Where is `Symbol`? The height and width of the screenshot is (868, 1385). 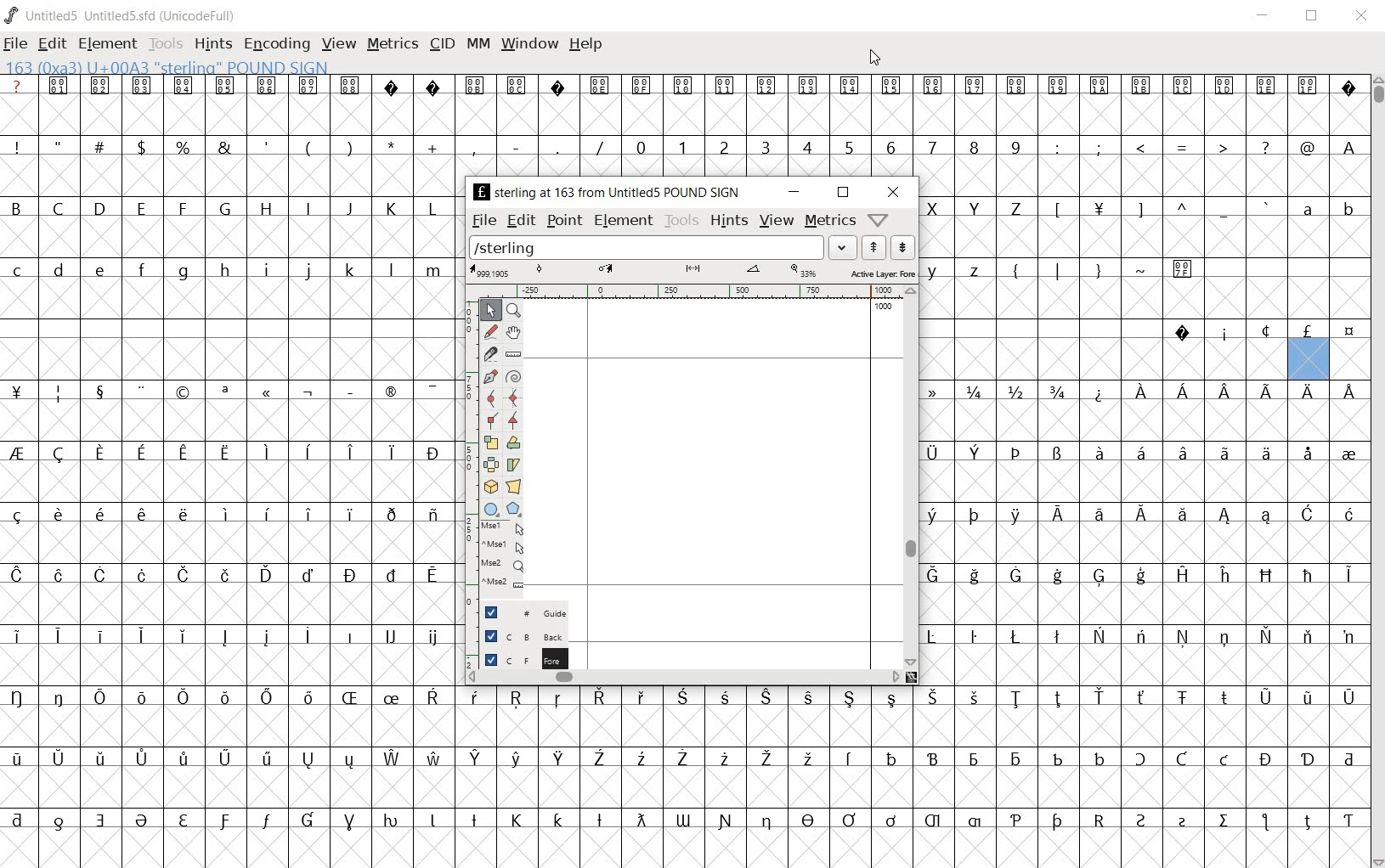 Symbol is located at coordinates (266, 823).